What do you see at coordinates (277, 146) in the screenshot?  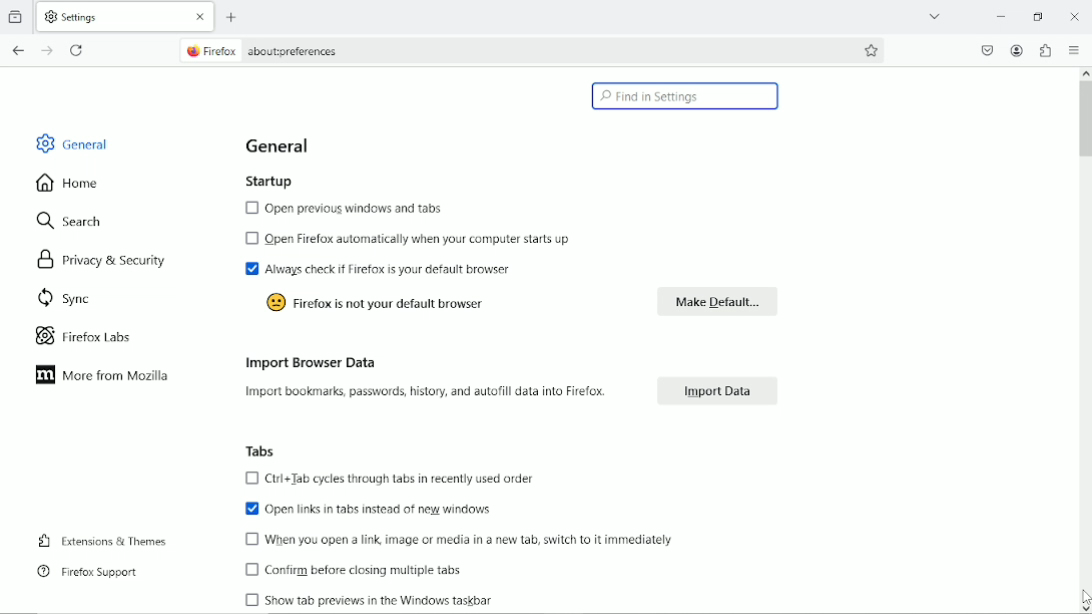 I see `General` at bounding box center [277, 146].